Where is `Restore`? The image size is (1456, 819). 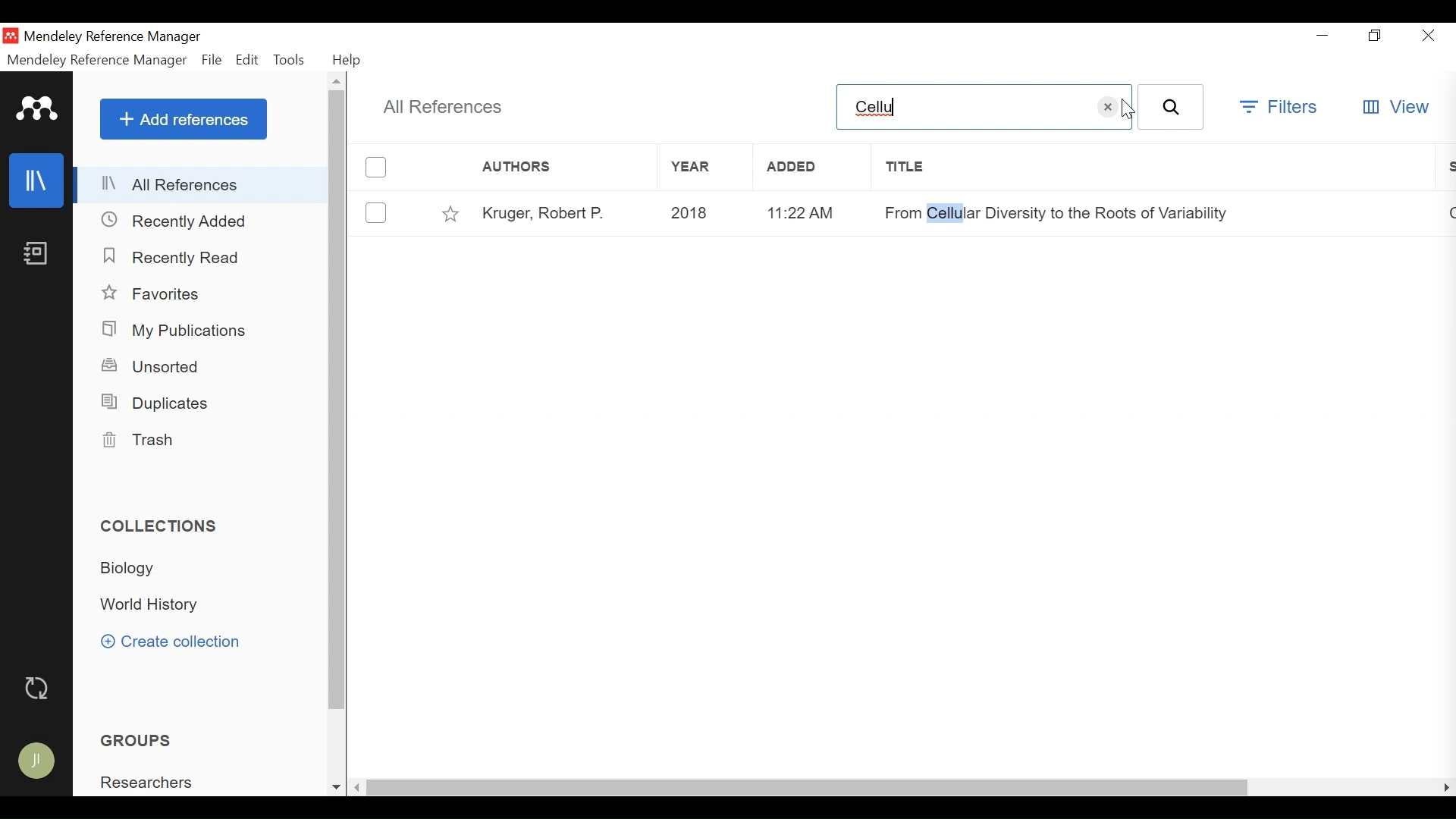 Restore is located at coordinates (1375, 35).